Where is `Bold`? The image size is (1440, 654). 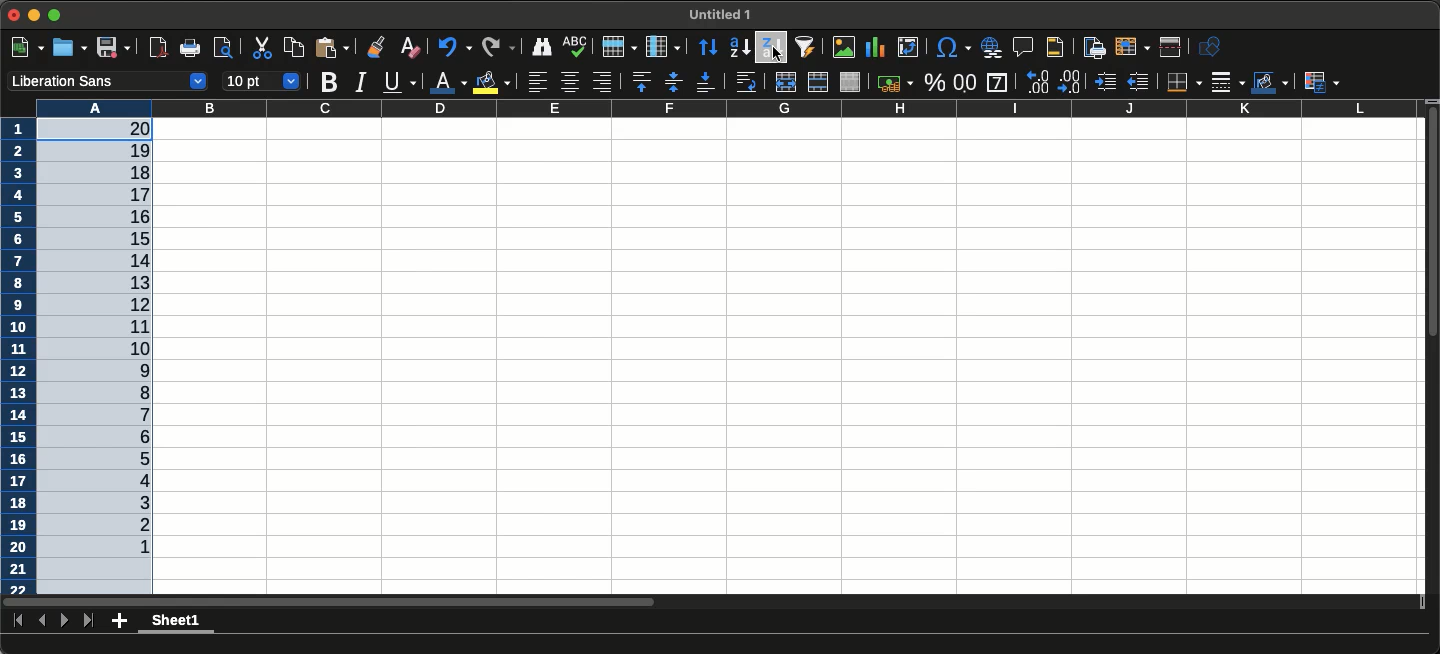 Bold is located at coordinates (328, 83).